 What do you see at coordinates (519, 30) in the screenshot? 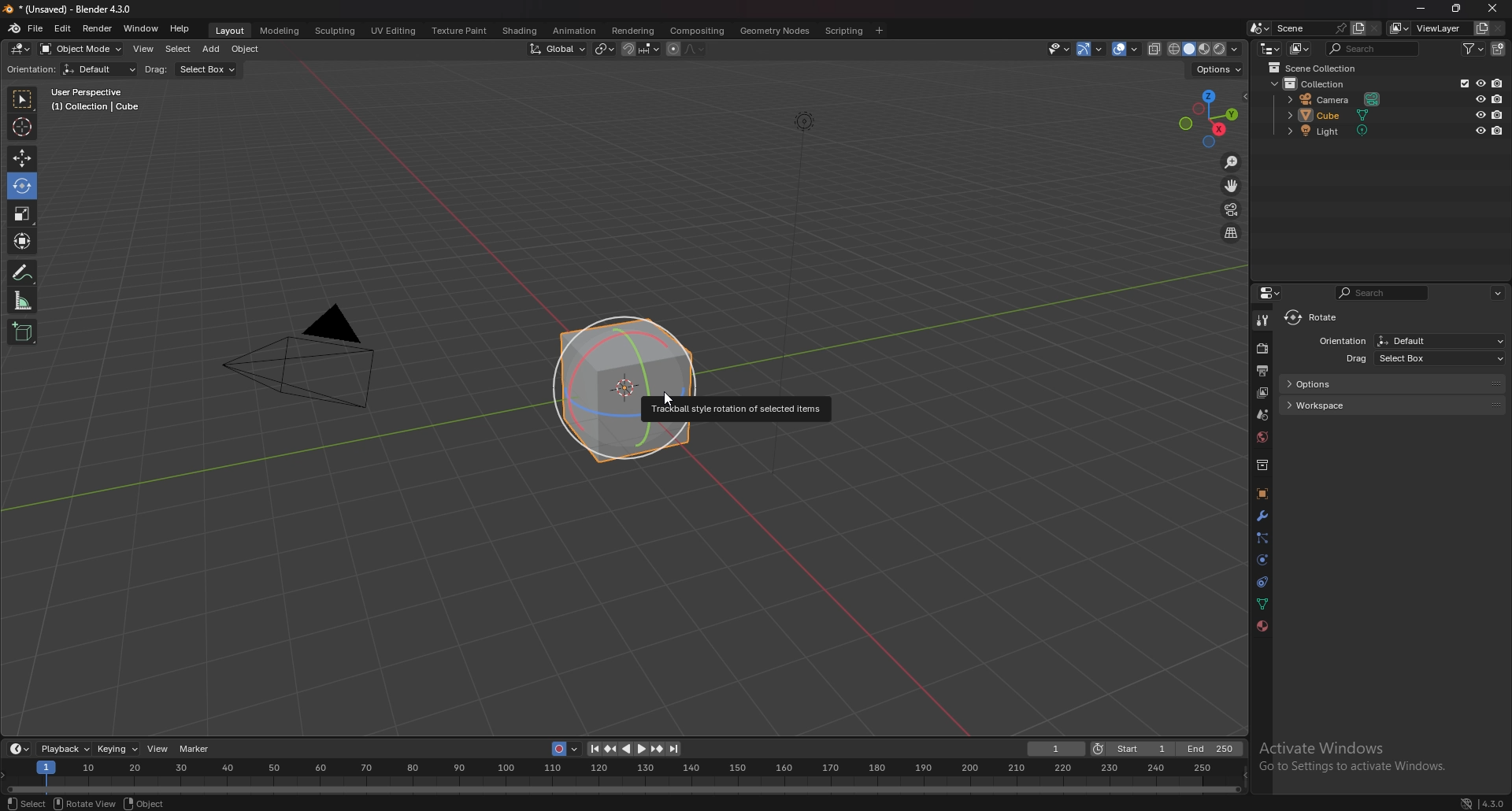
I see `shading` at bounding box center [519, 30].